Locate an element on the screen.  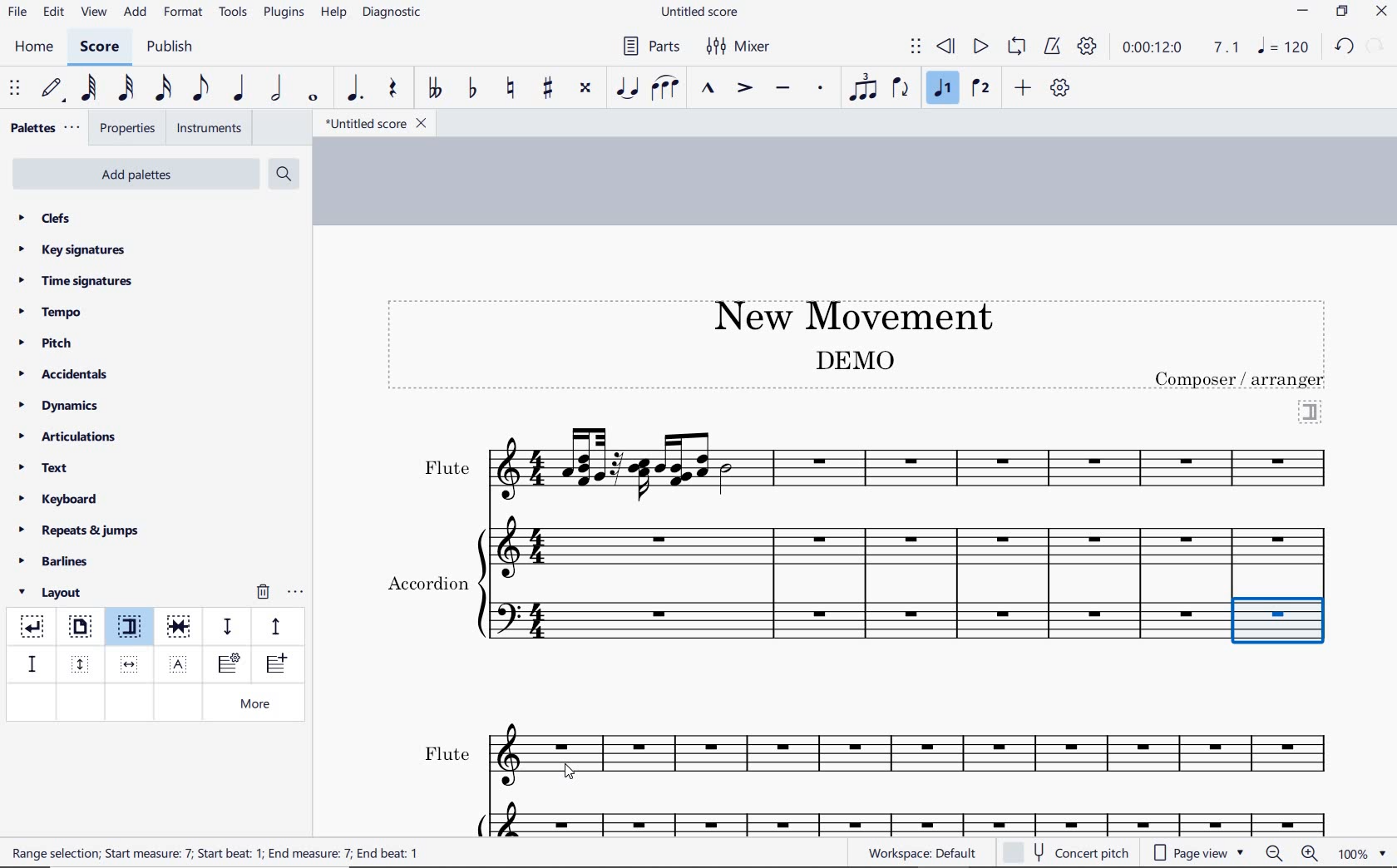
Acc. is located at coordinates (915, 817).